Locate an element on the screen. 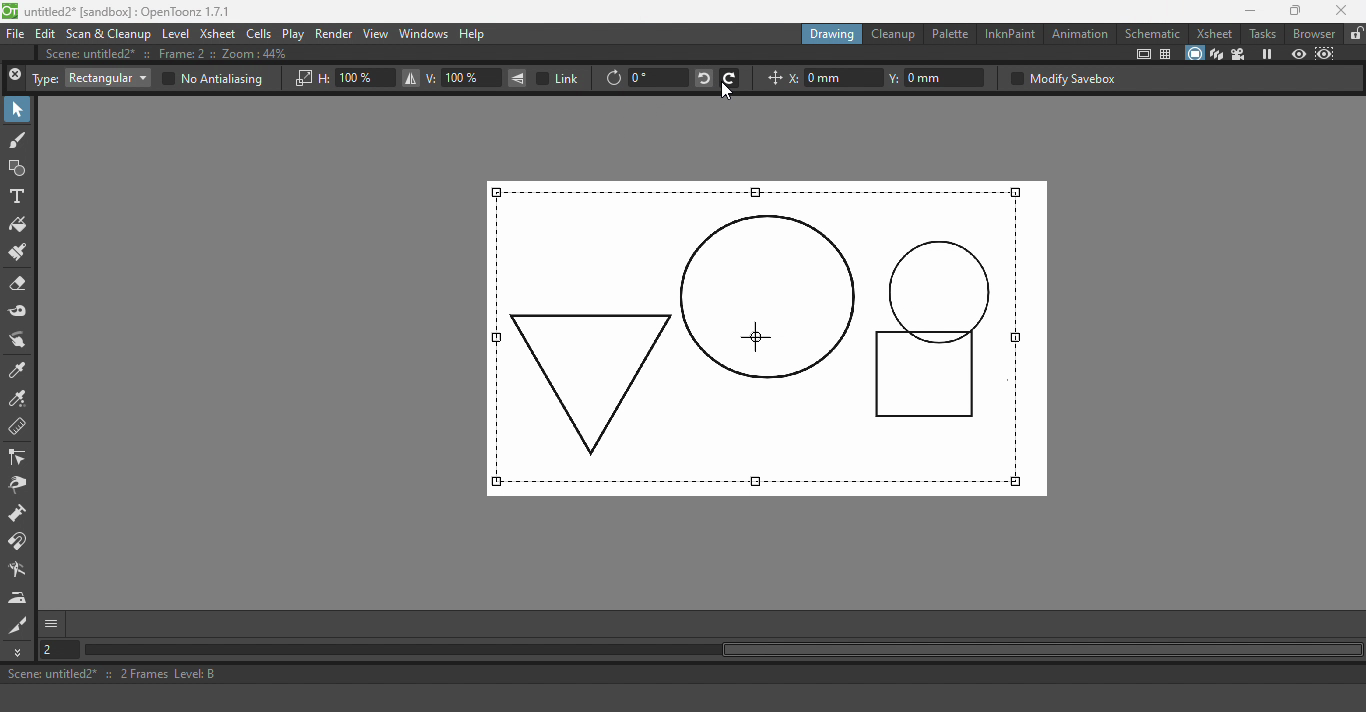 The height and width of the screenshot is (712, 1366). Flip selection horizontally is located at coordinates (409, 79).